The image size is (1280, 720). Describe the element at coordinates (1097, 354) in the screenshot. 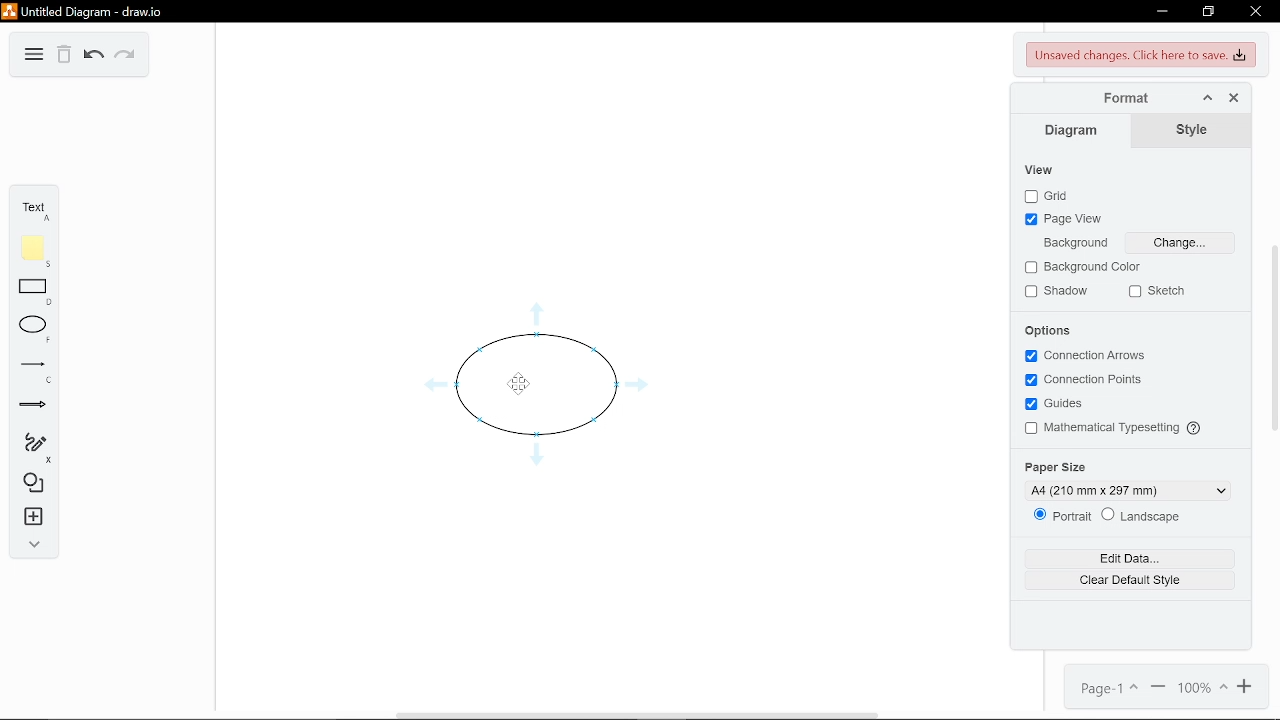

I see `Connection arrows` at that location.